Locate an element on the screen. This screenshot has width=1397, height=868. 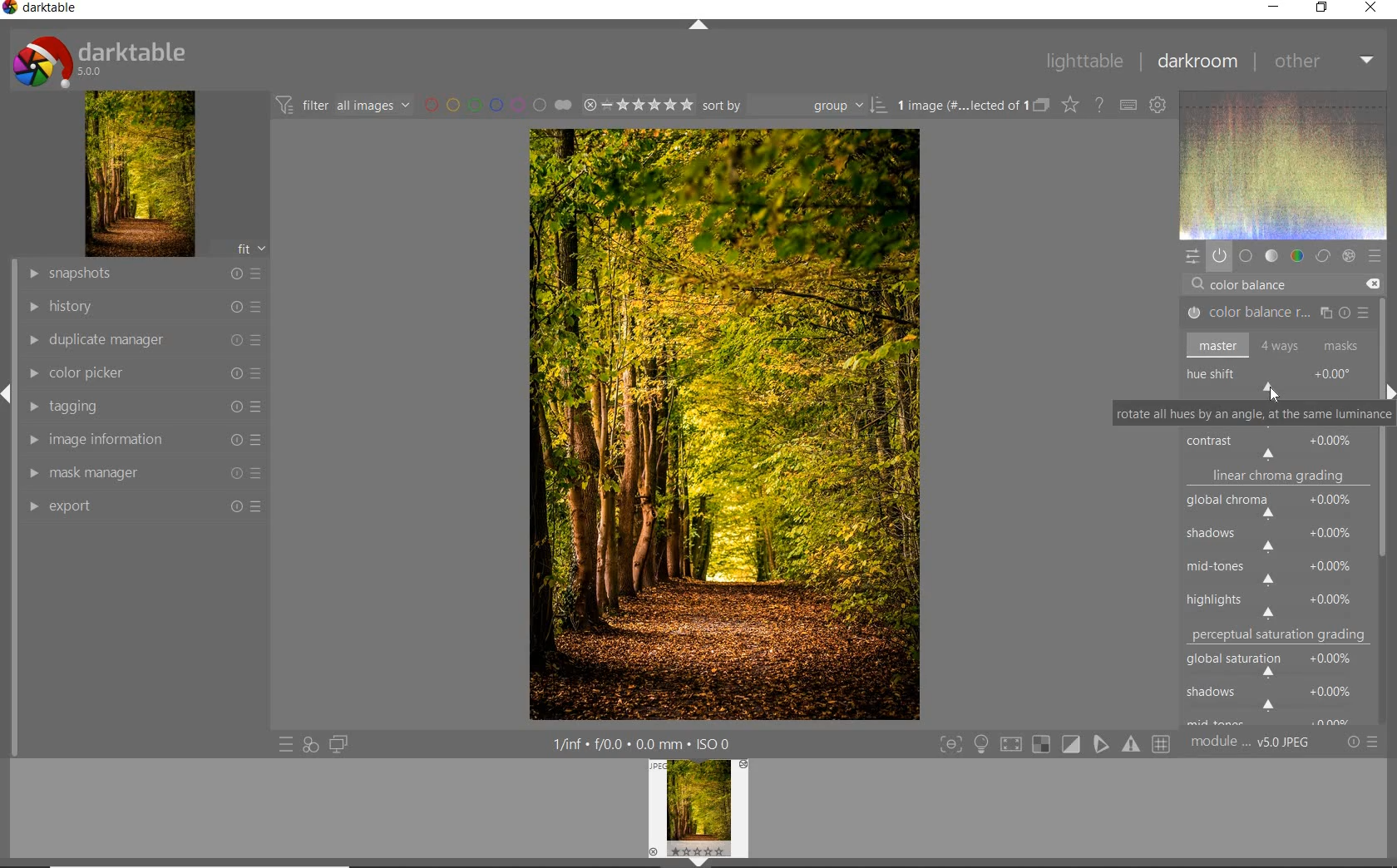
ROTATE ALL HUES BY AN ANGLE AT THE SAME LUMINANCE is located at coordinates (1252, 412).